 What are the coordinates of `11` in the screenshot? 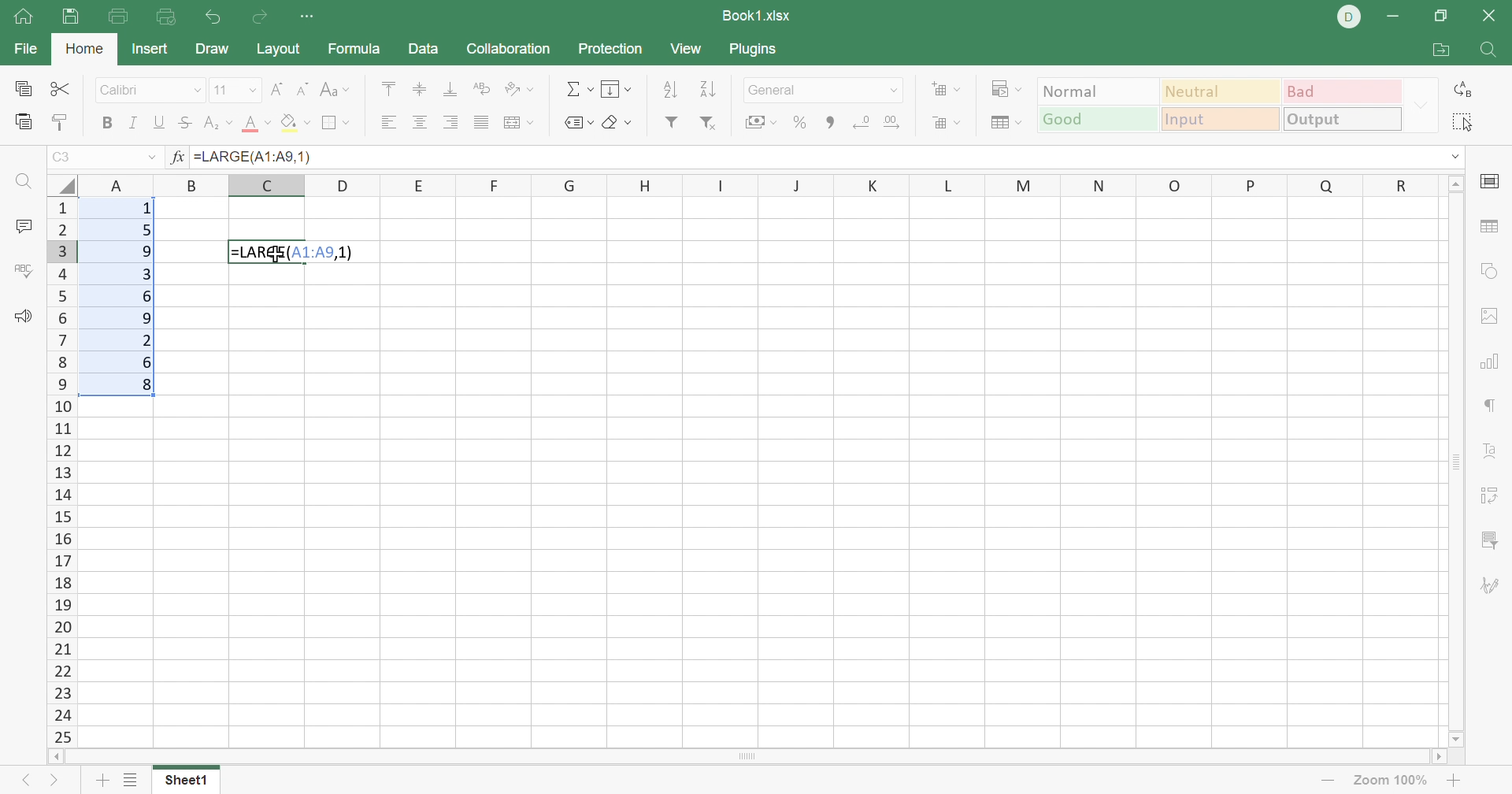 It's located at (224, 91).